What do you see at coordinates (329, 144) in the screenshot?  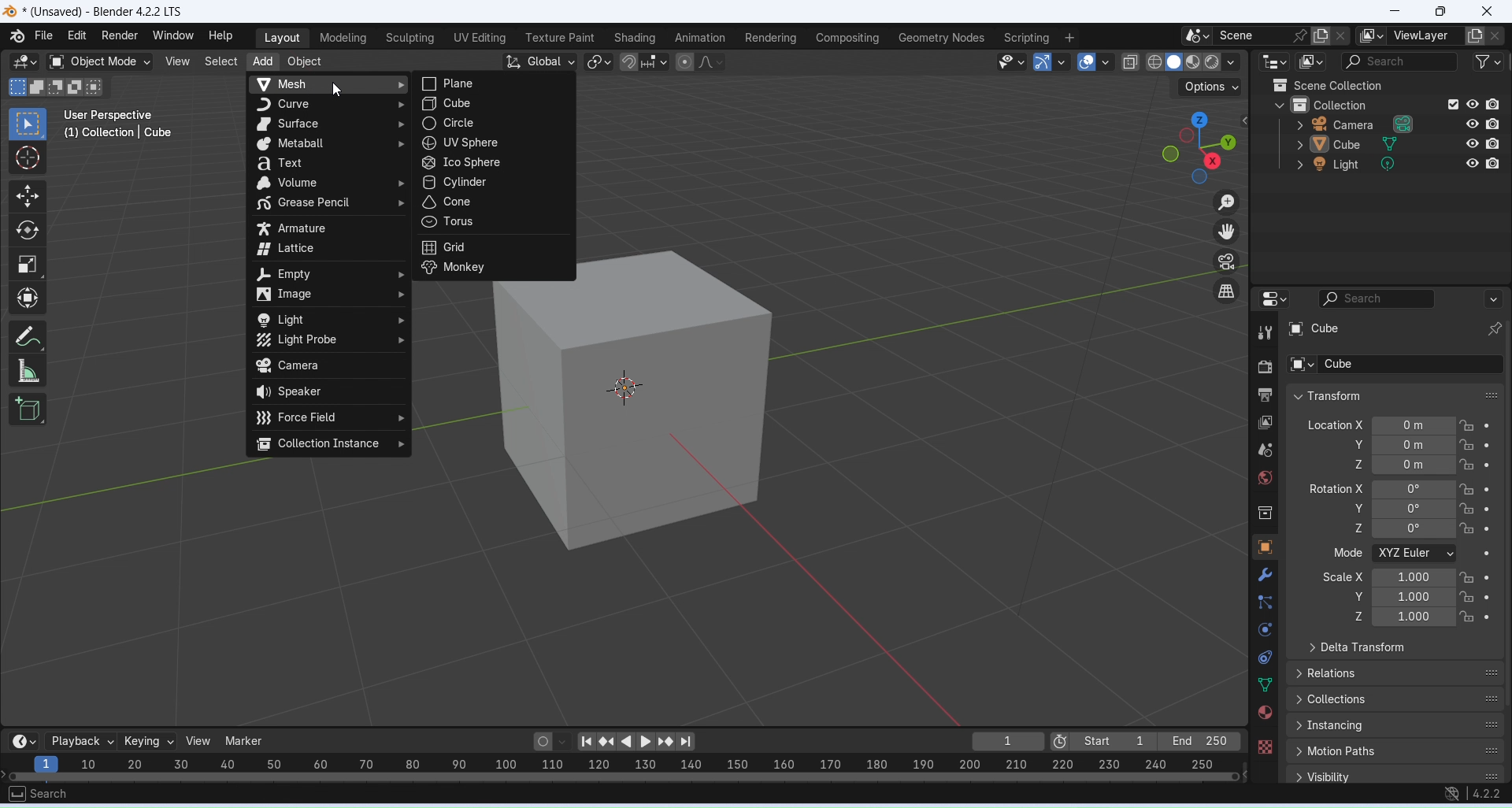 I see `metaball` at bounding box center [329, 144].